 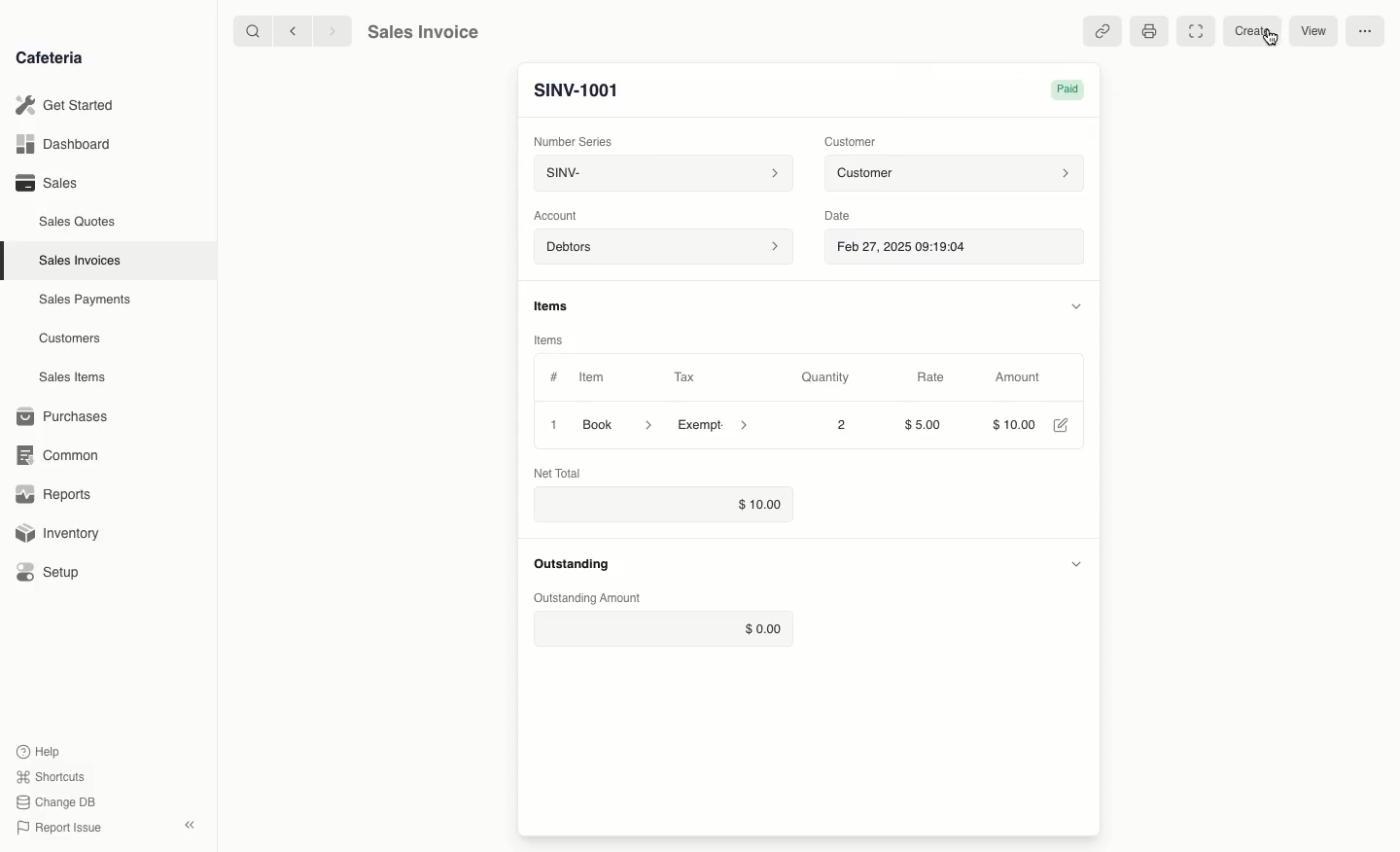 What do you see at coordinates (564, 473) in the screenshot?
I see `Net Total` at bounding box center [564, 473].